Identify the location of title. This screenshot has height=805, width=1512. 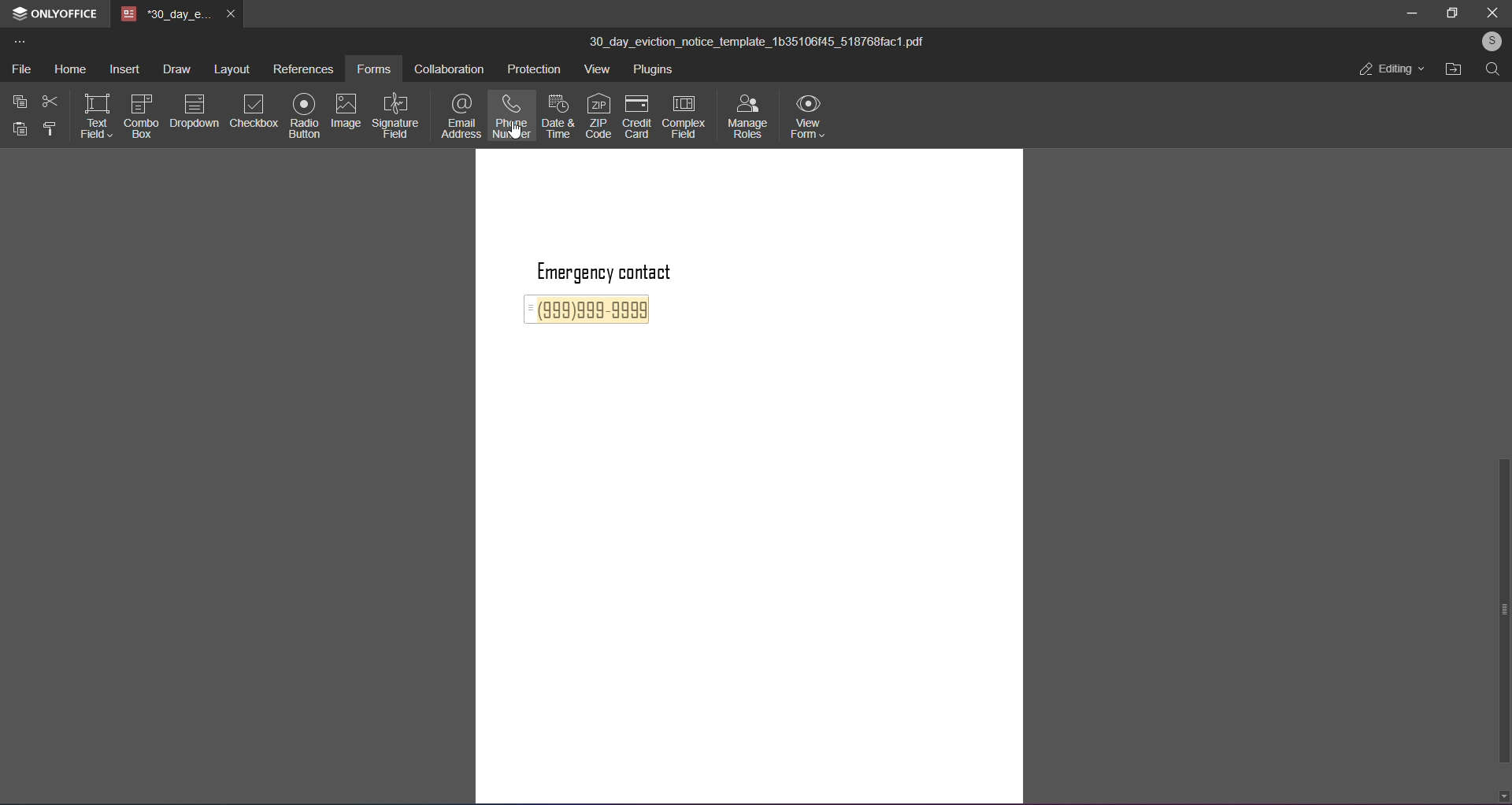
(757, 43).